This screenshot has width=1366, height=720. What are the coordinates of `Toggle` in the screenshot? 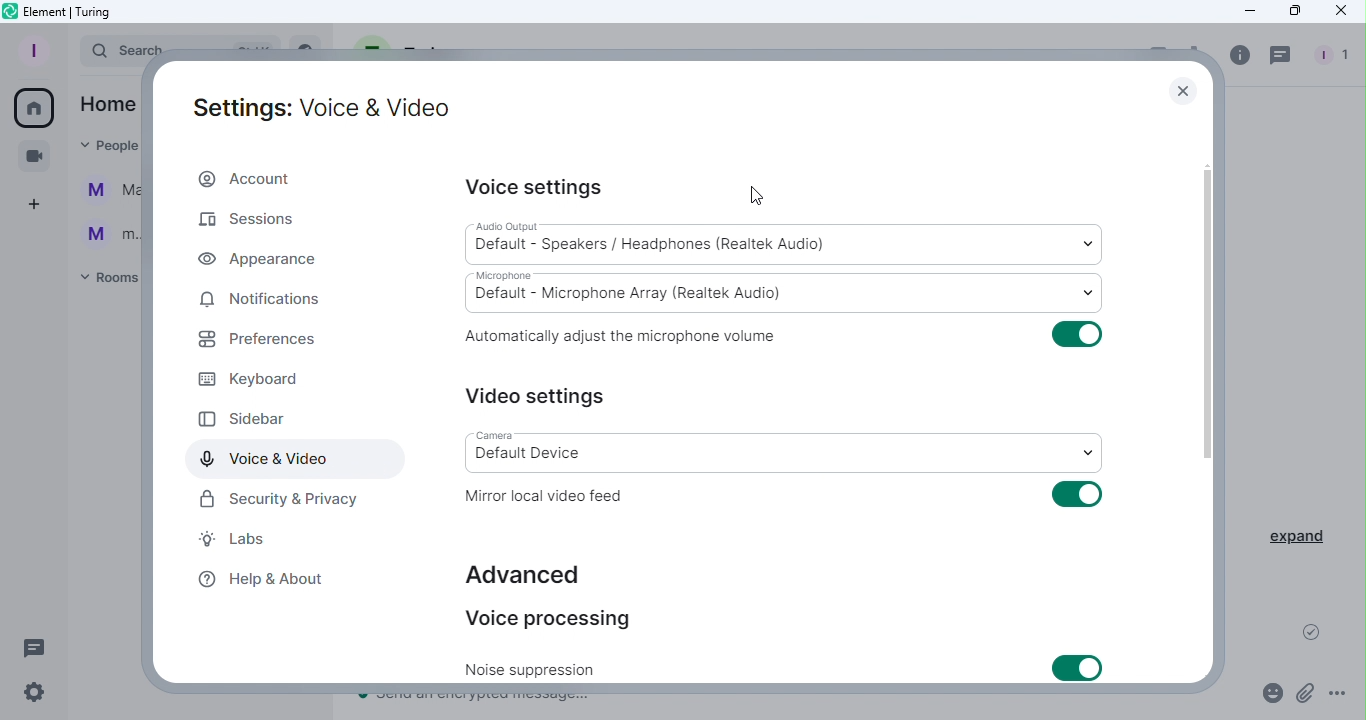 It's located at (1075, 333).